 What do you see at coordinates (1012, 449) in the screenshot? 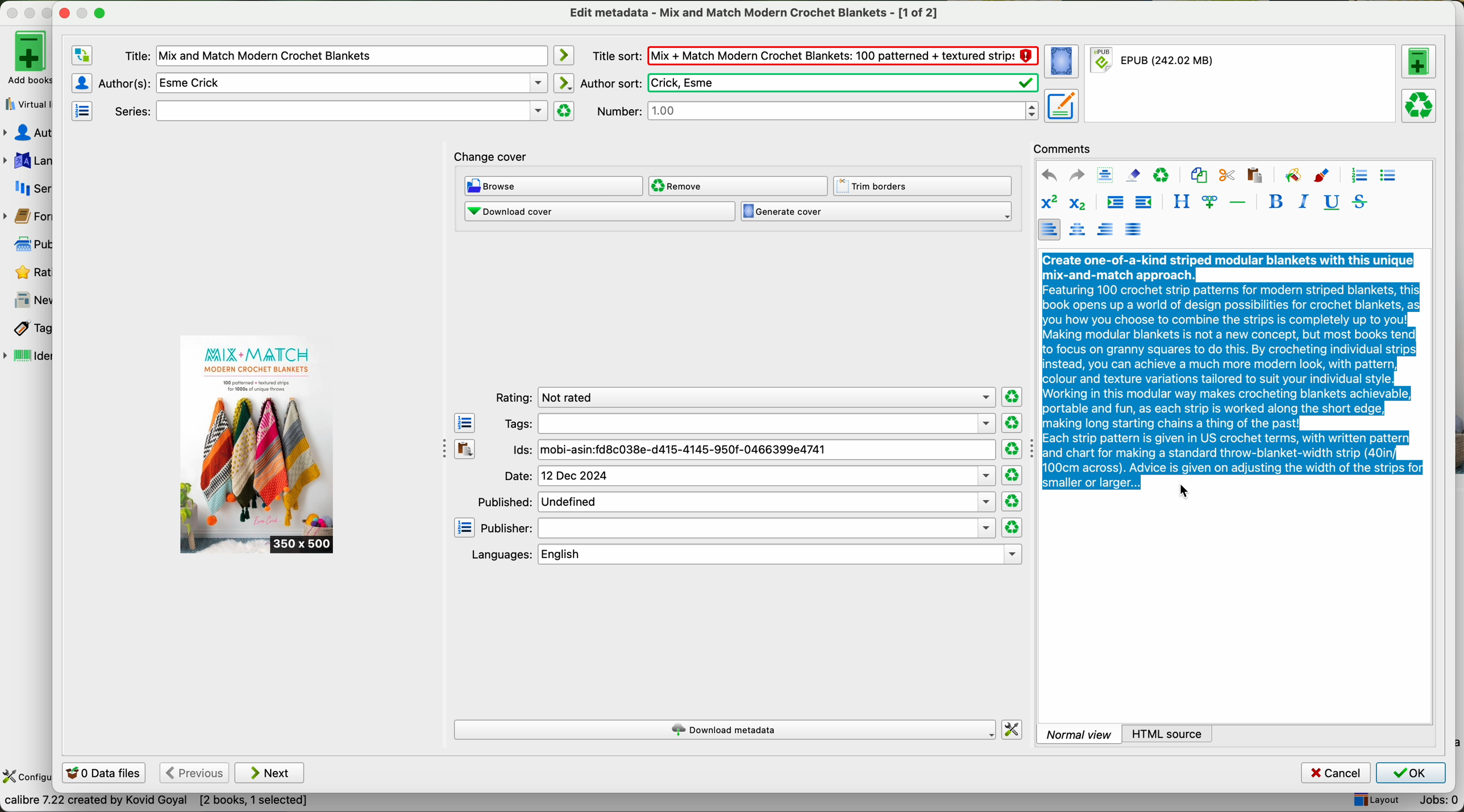
I see `clear rating` at bounding box center [1012, 449].